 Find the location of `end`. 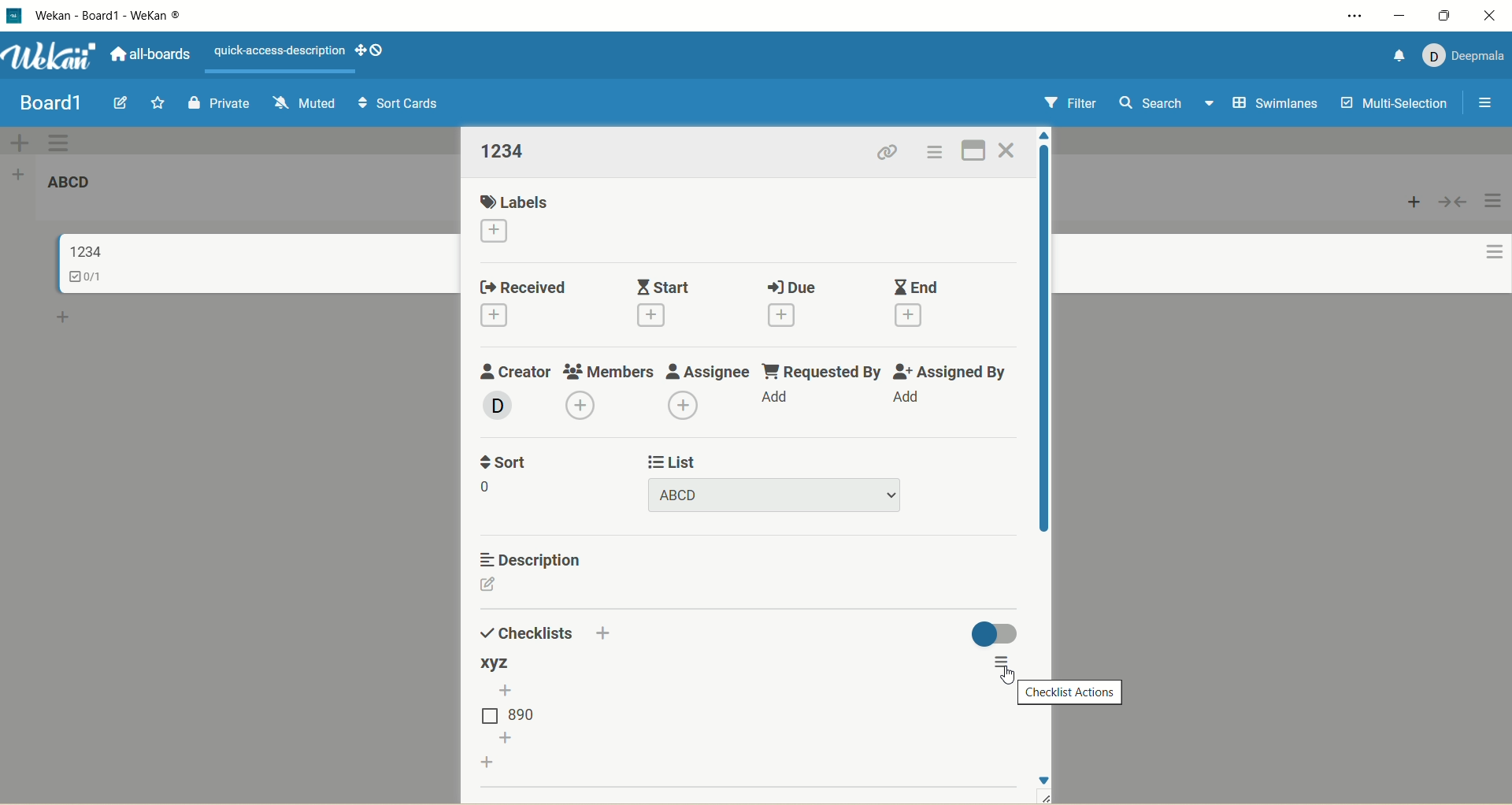

end is located at coordinates (914, 286).